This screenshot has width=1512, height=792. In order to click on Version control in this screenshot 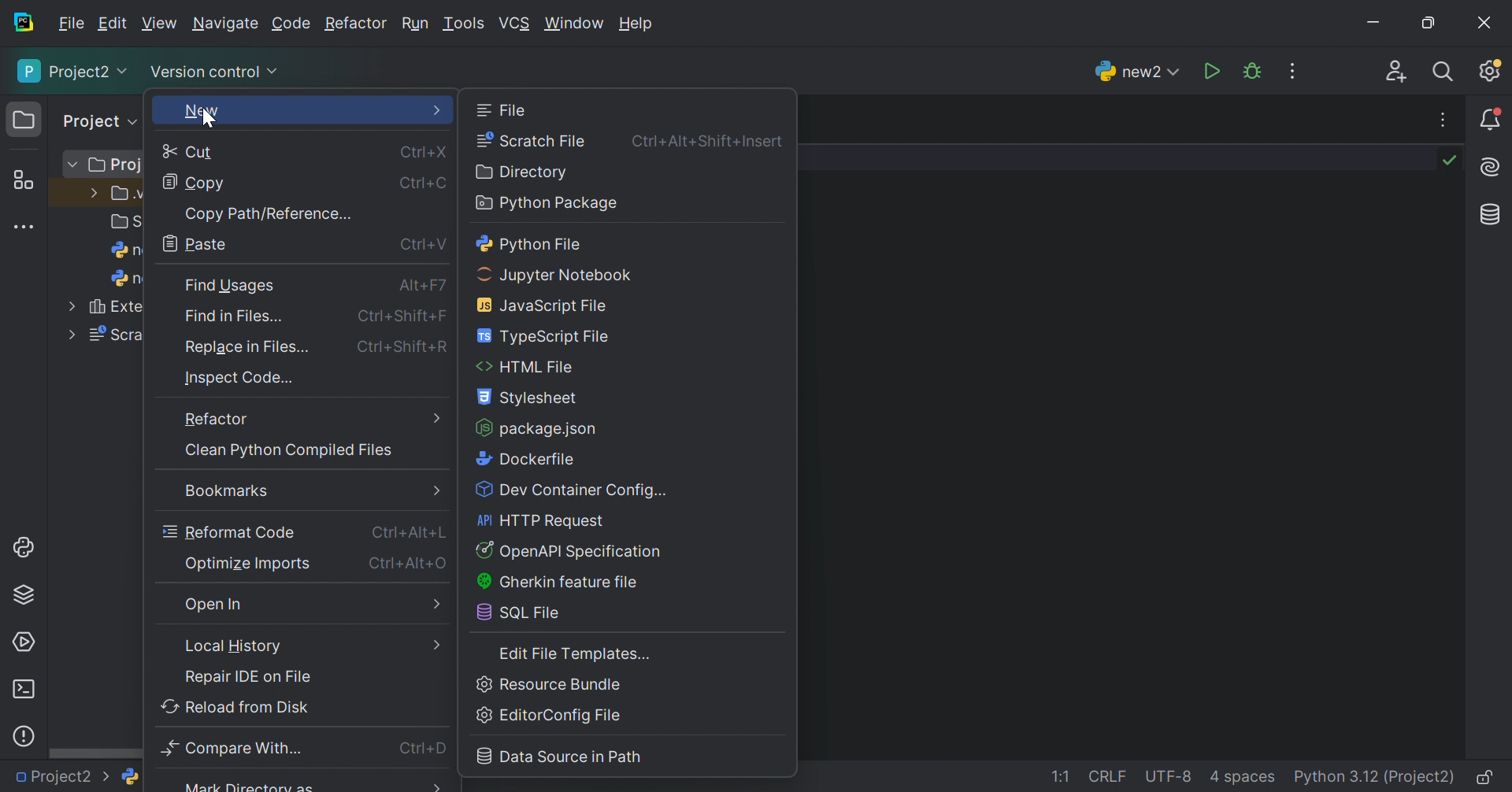, I will do `click(216, 74)`.